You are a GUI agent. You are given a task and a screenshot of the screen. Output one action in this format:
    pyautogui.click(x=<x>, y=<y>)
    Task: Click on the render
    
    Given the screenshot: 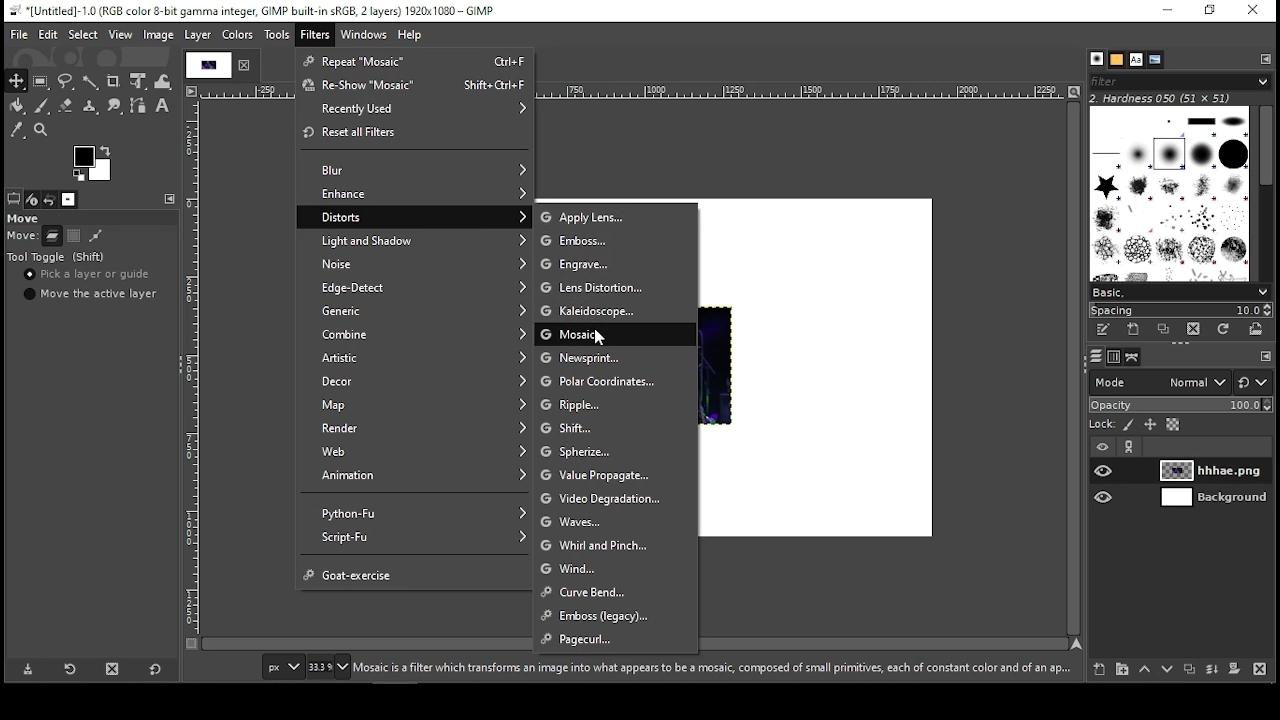 What is the action you would take?
    pyautogui.click(x=418, y=426)
    